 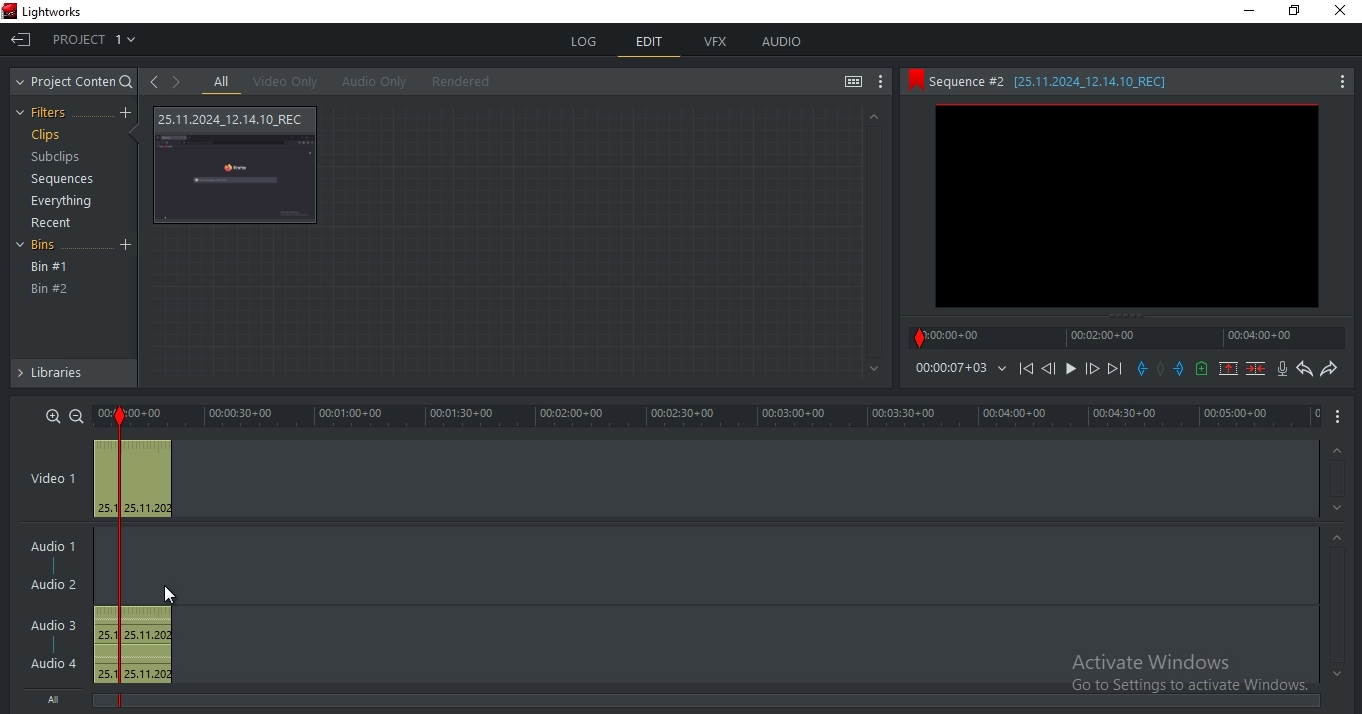 What do you see at coordinates (53, 476) in the screenshot?
I see `video 1` at bounding box center [53, 476].